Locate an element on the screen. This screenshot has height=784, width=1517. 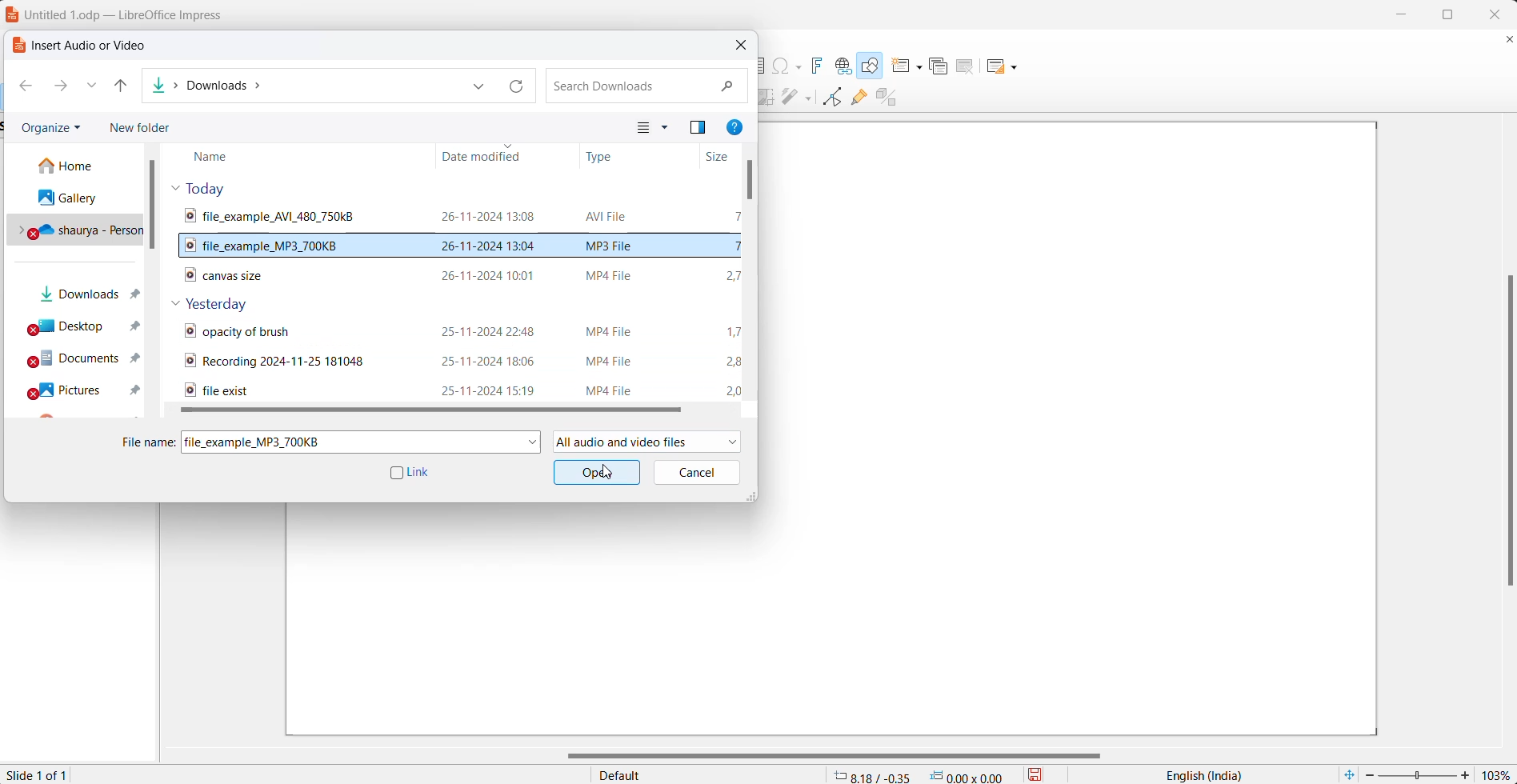
pictures is located at coordinates (86, 388).